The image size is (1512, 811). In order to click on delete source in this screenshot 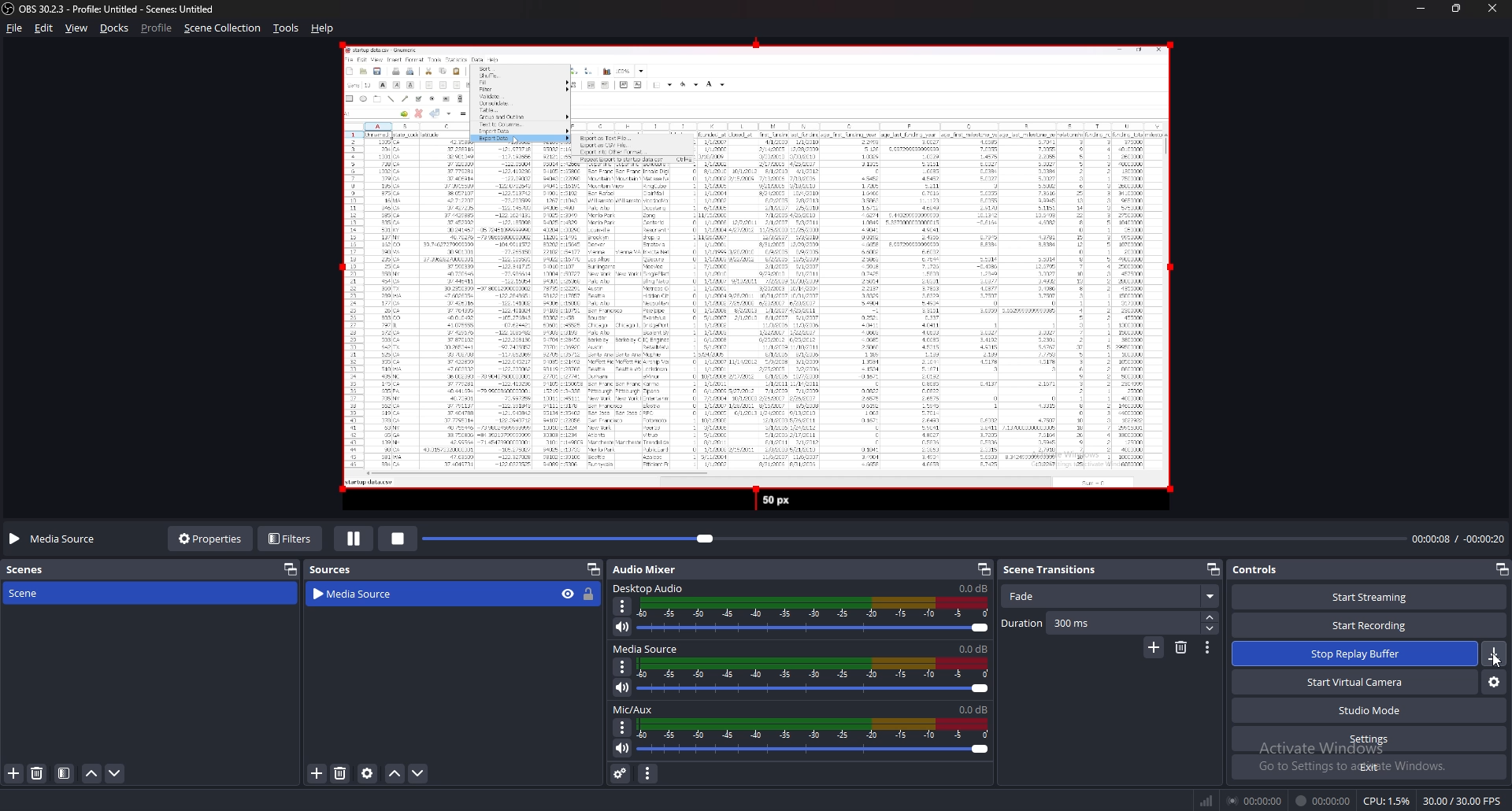, I will do `click(341, 772)`.